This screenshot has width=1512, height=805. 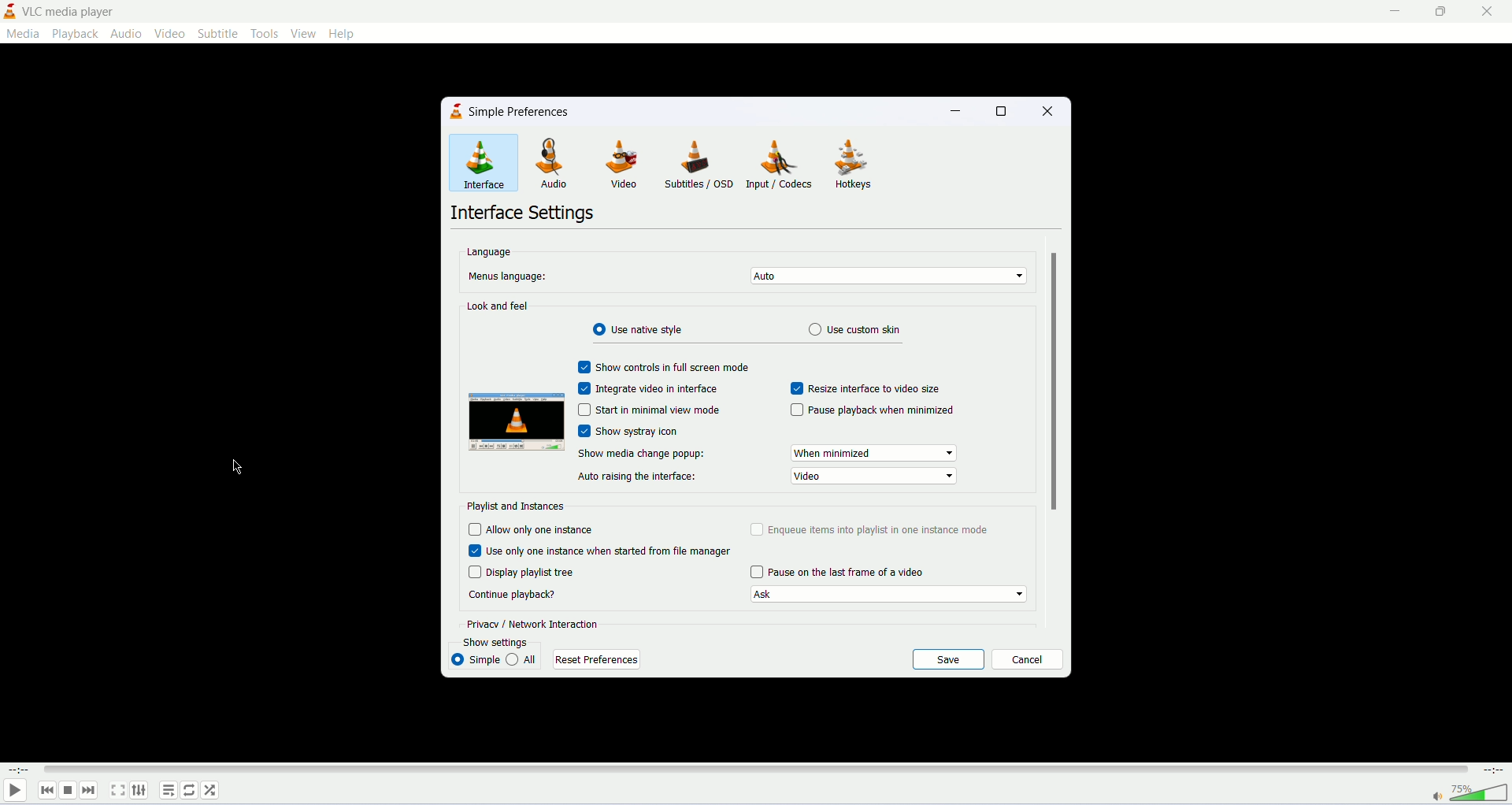 I want to click on mouse cursor, so click(x=238, y=468).